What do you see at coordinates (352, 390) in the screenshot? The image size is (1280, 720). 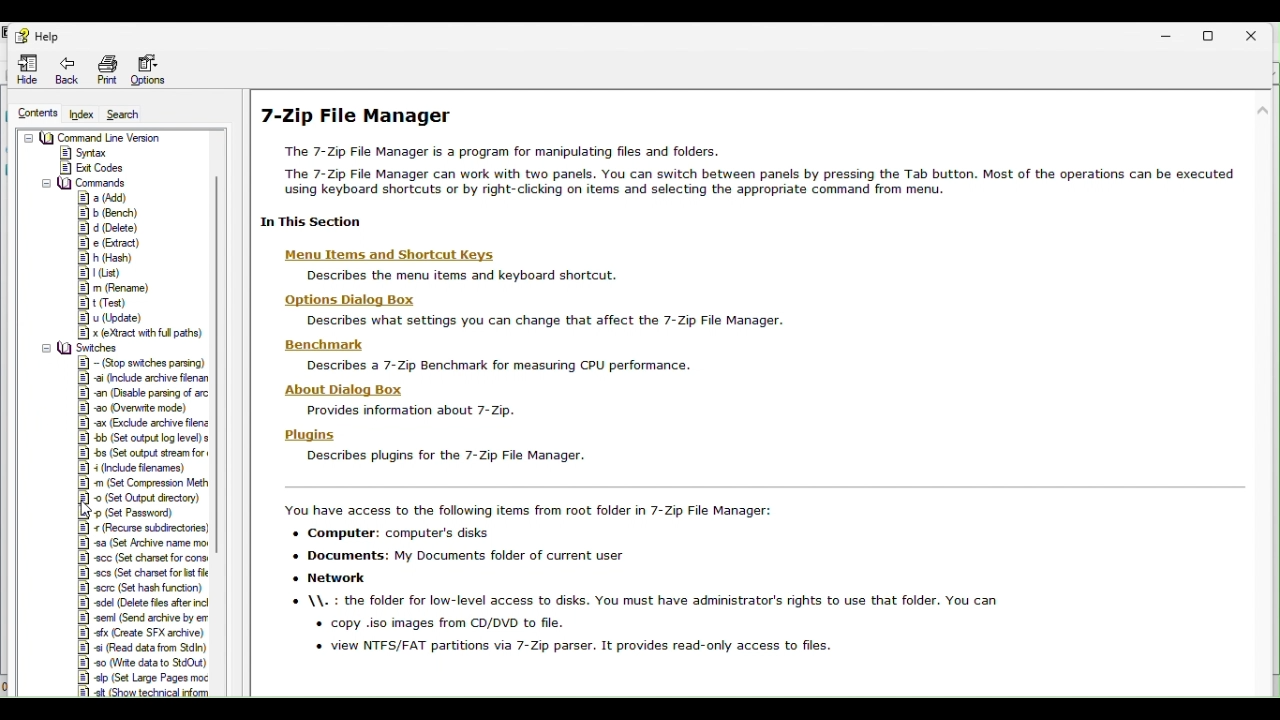 I see `about dialog box` at bounding box center [352, 390].